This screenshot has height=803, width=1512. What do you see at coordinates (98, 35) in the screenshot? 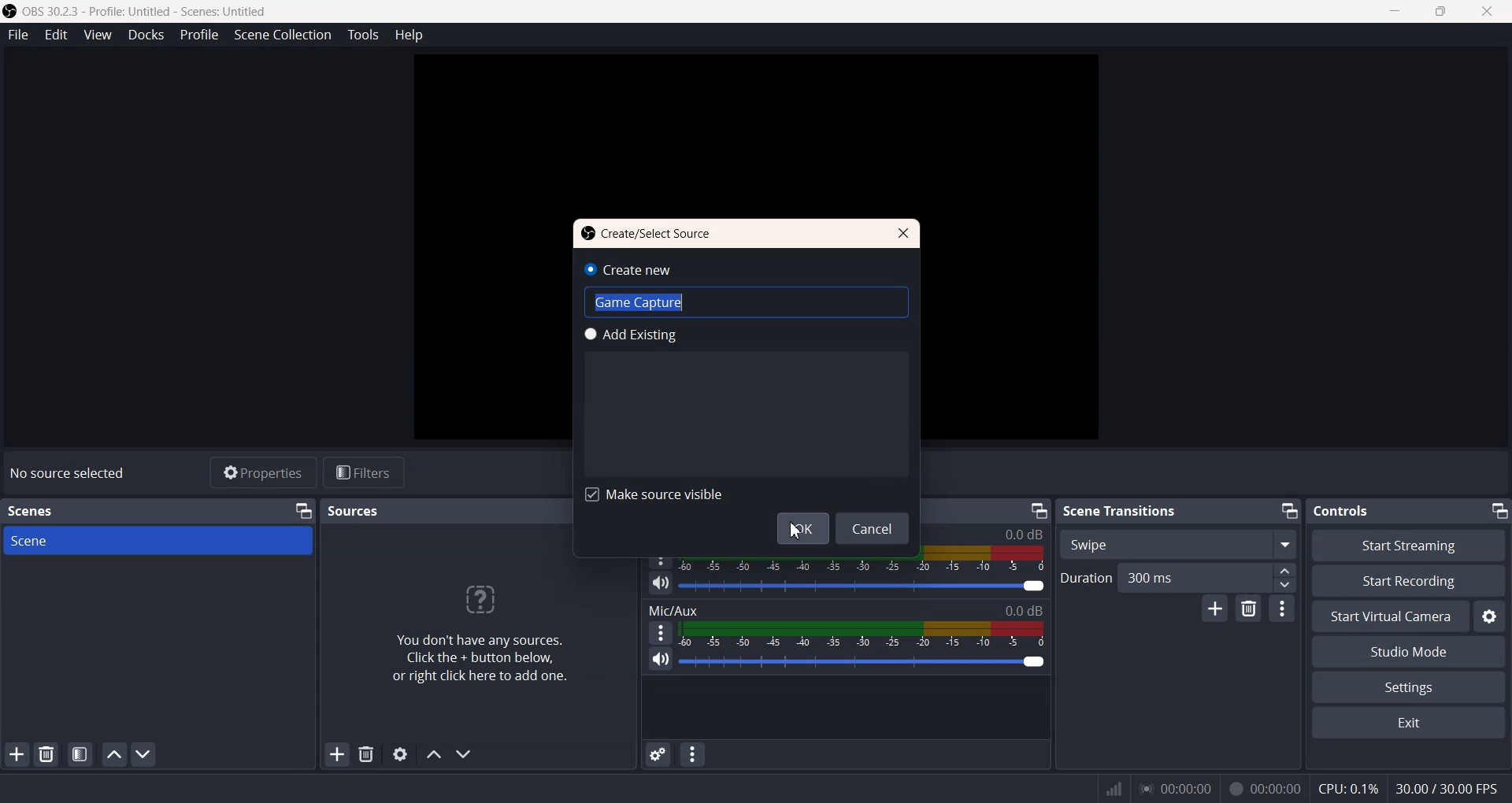
I see `View` at bounding box center [98, 35].